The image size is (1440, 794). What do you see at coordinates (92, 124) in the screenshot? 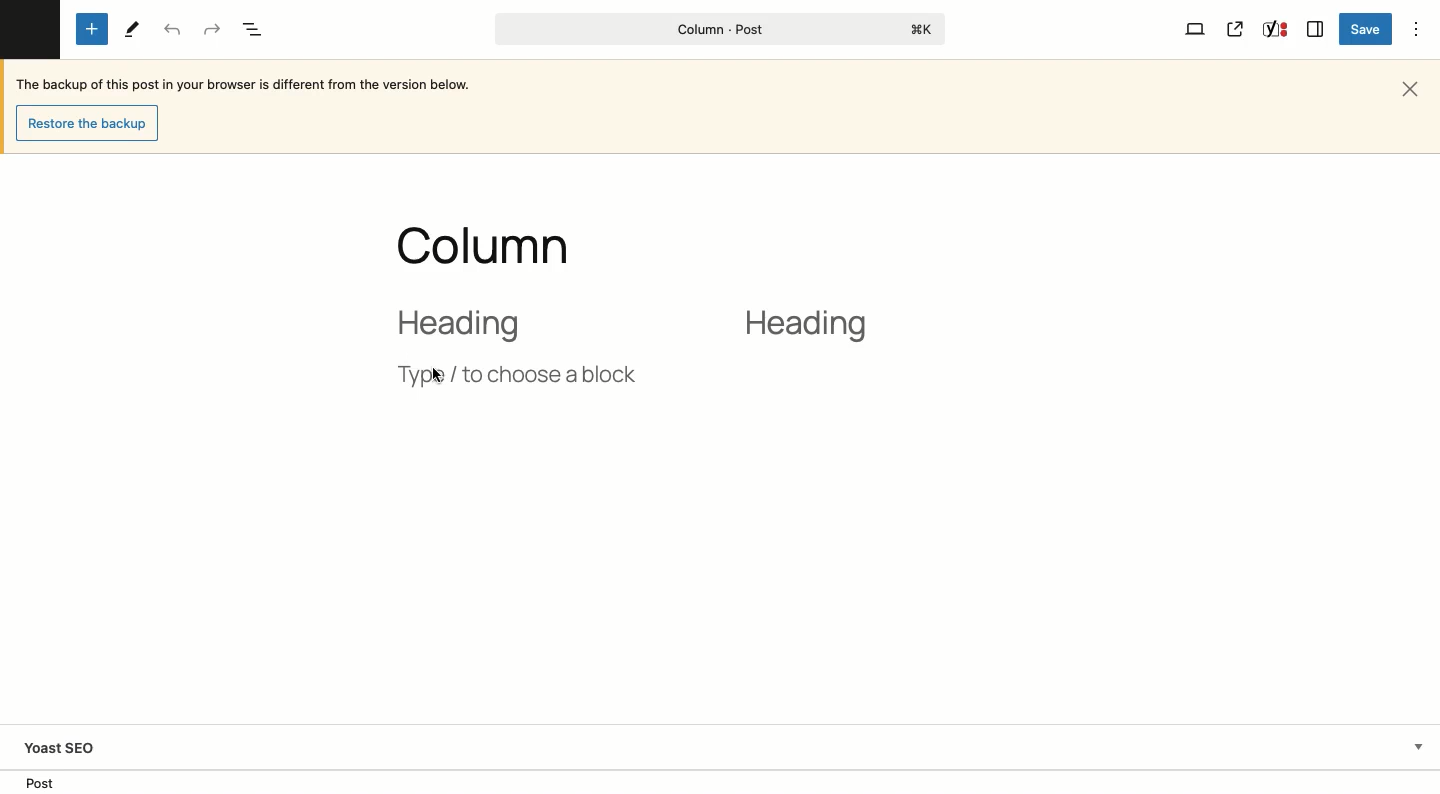
I see `Restore the backup` at bounding box center [92, 124].